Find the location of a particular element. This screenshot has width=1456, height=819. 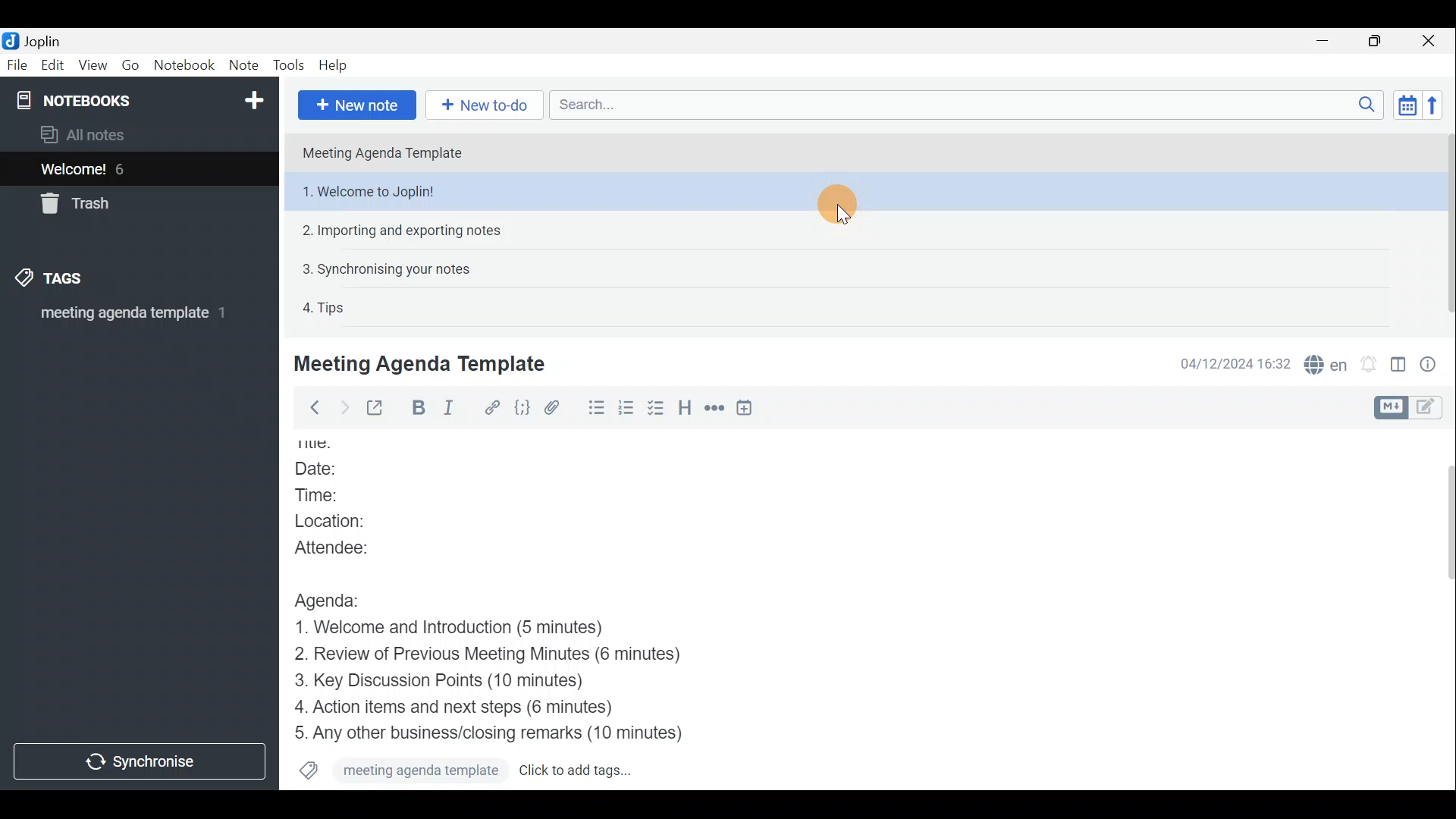

Bold is located at coordinates (419, 408).